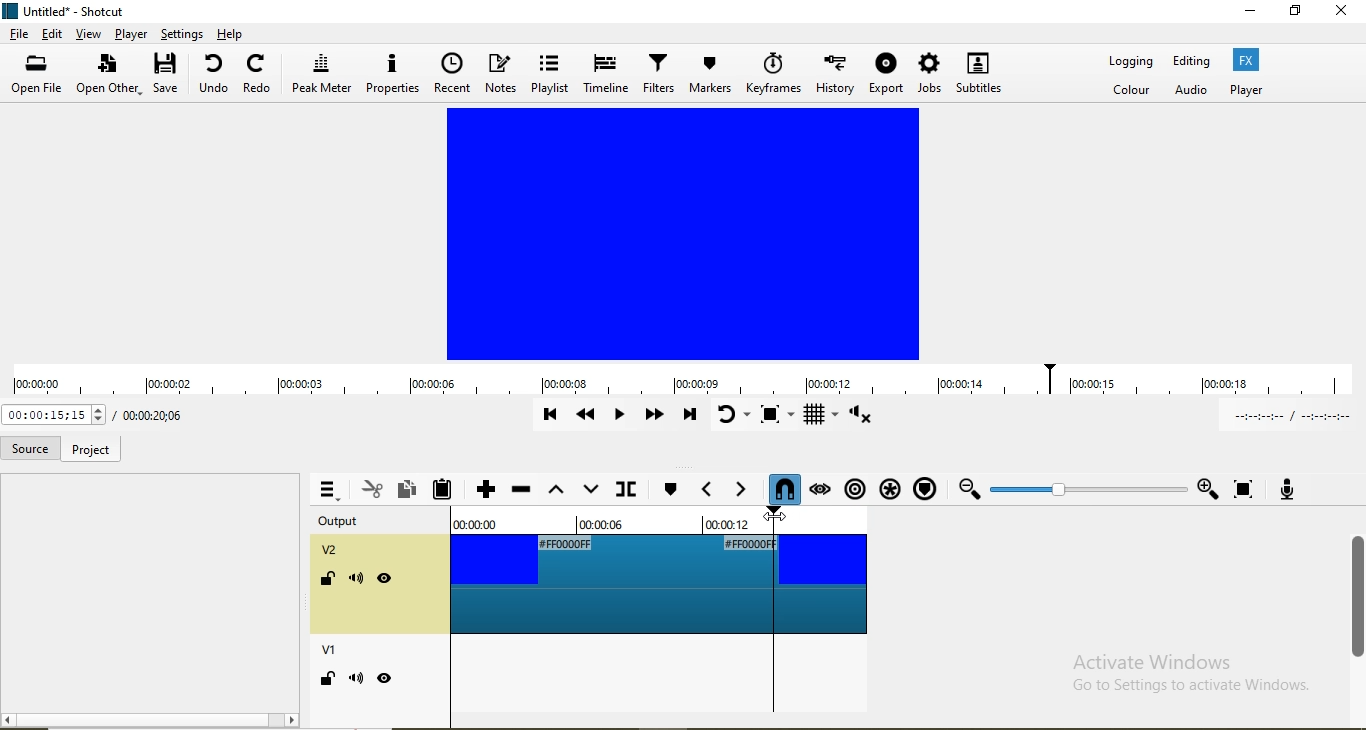  I want to click on recent, so click(452, 73).